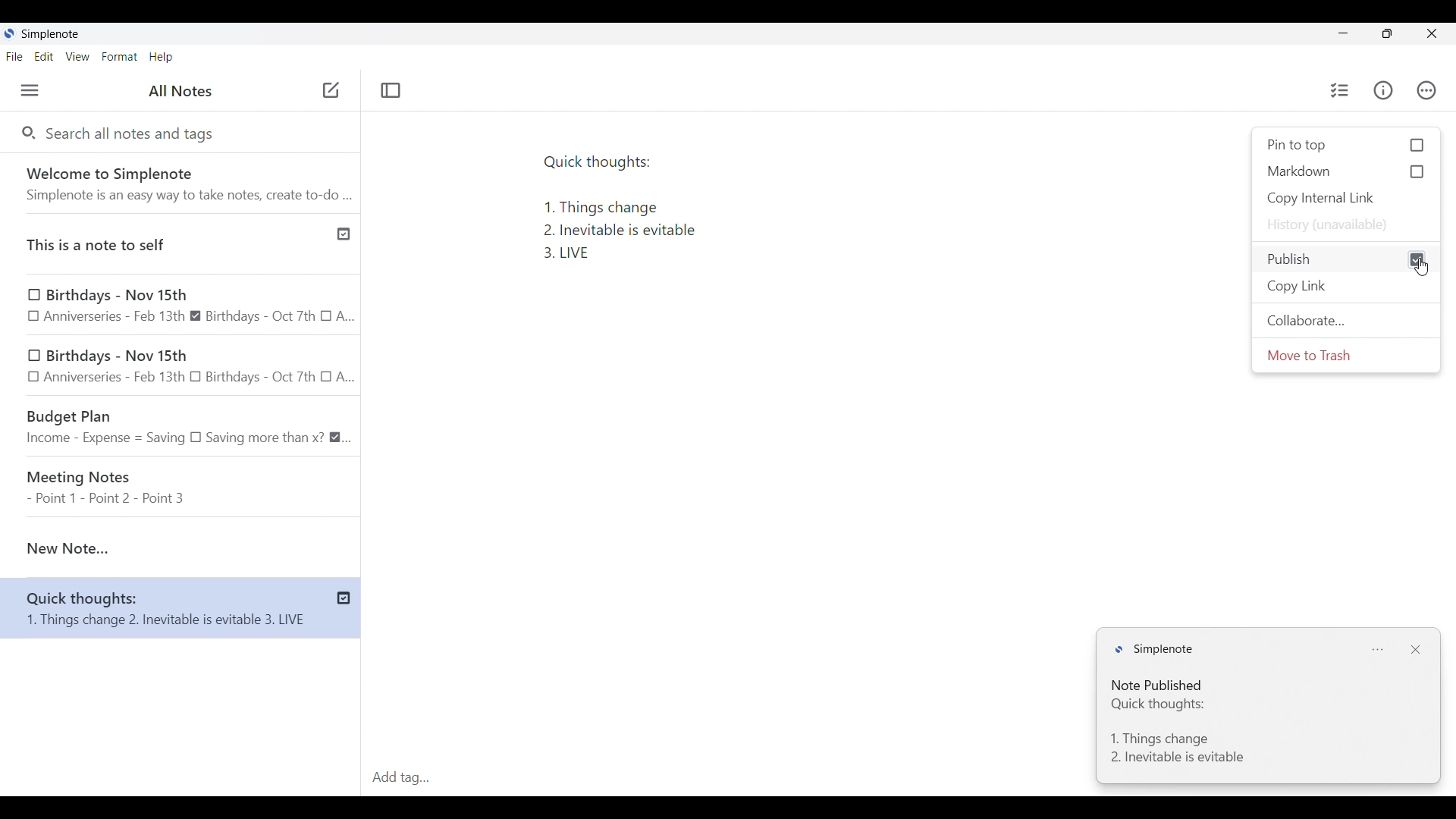 This screenshot has width=1456, height=819. What do you see at coordinates (78, 56) in the screenshot?
I see `View menu` at bounding box center [78, 56].